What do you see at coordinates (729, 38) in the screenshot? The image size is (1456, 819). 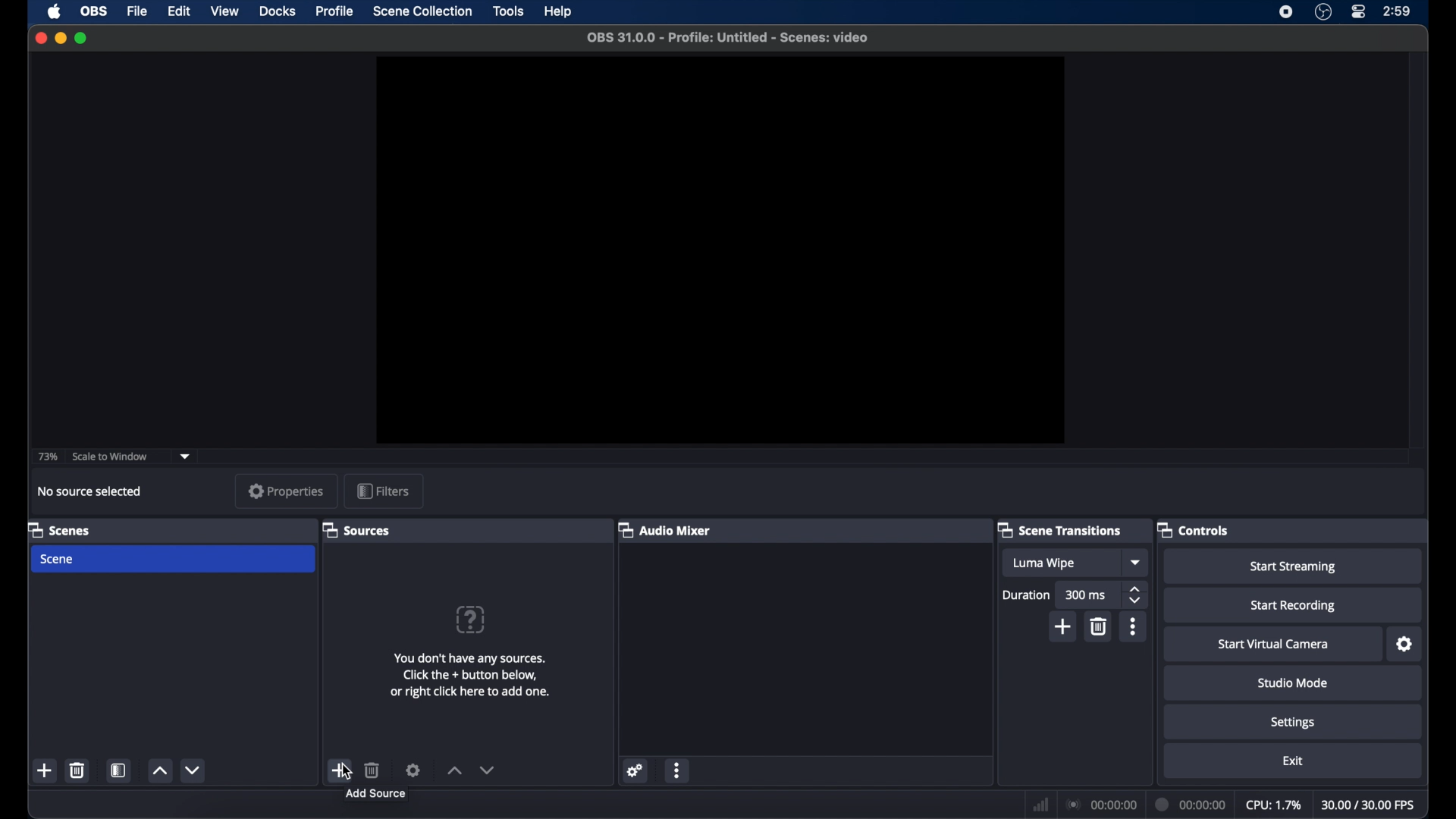 I see `file name` at bounding box center [729, 38].